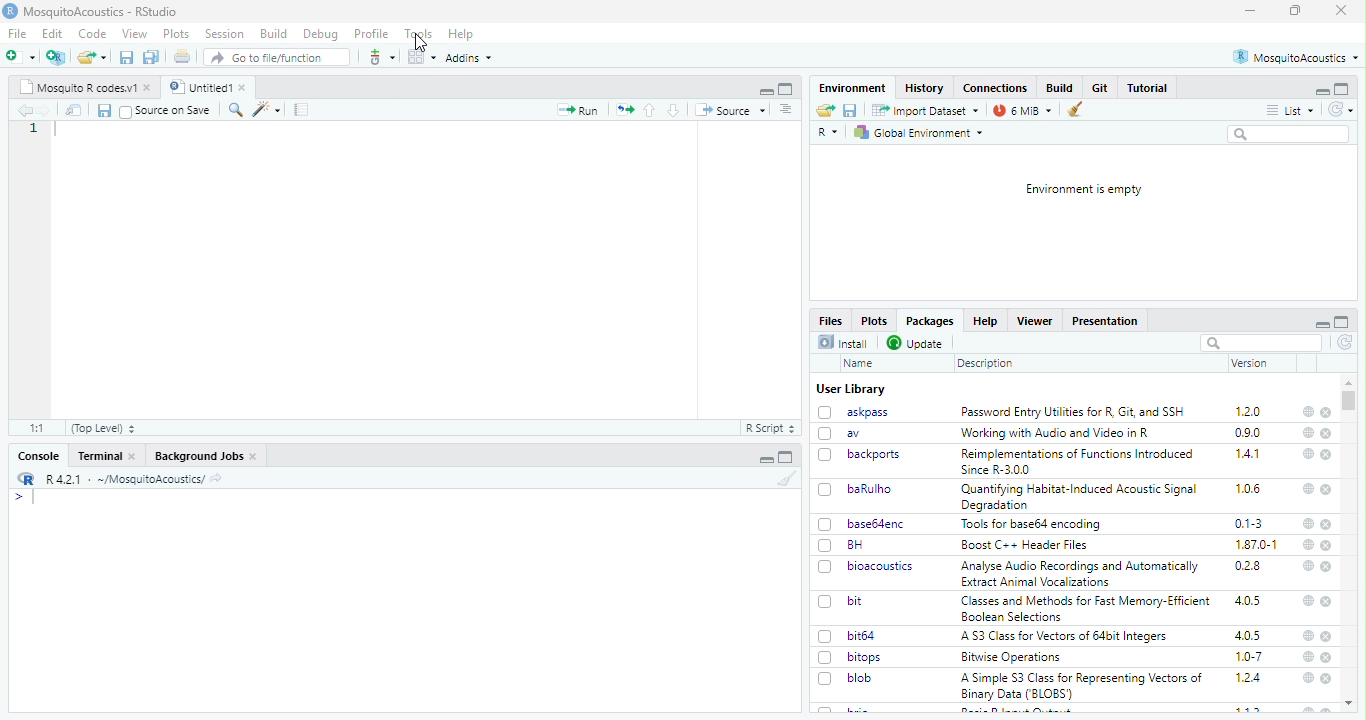 The width and height of the screenshot is (1366, 720). What do you see at coordinates (675, 110) in the screenshot?
I see `down` at bounding box center [675, 110].